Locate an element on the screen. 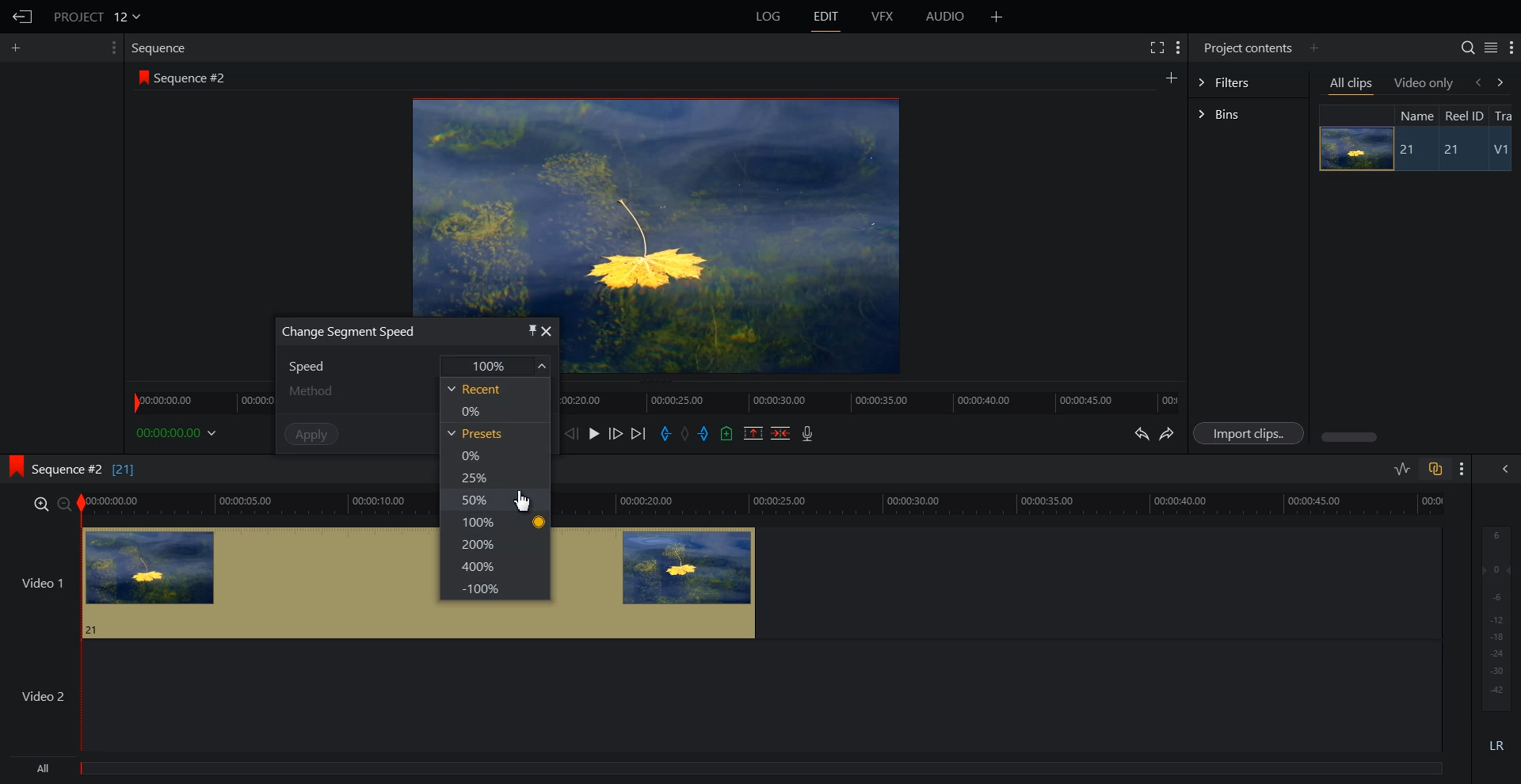 The width and height of the screenshot is (1521, 784). Full screen is located at coordinates (1156, 46).